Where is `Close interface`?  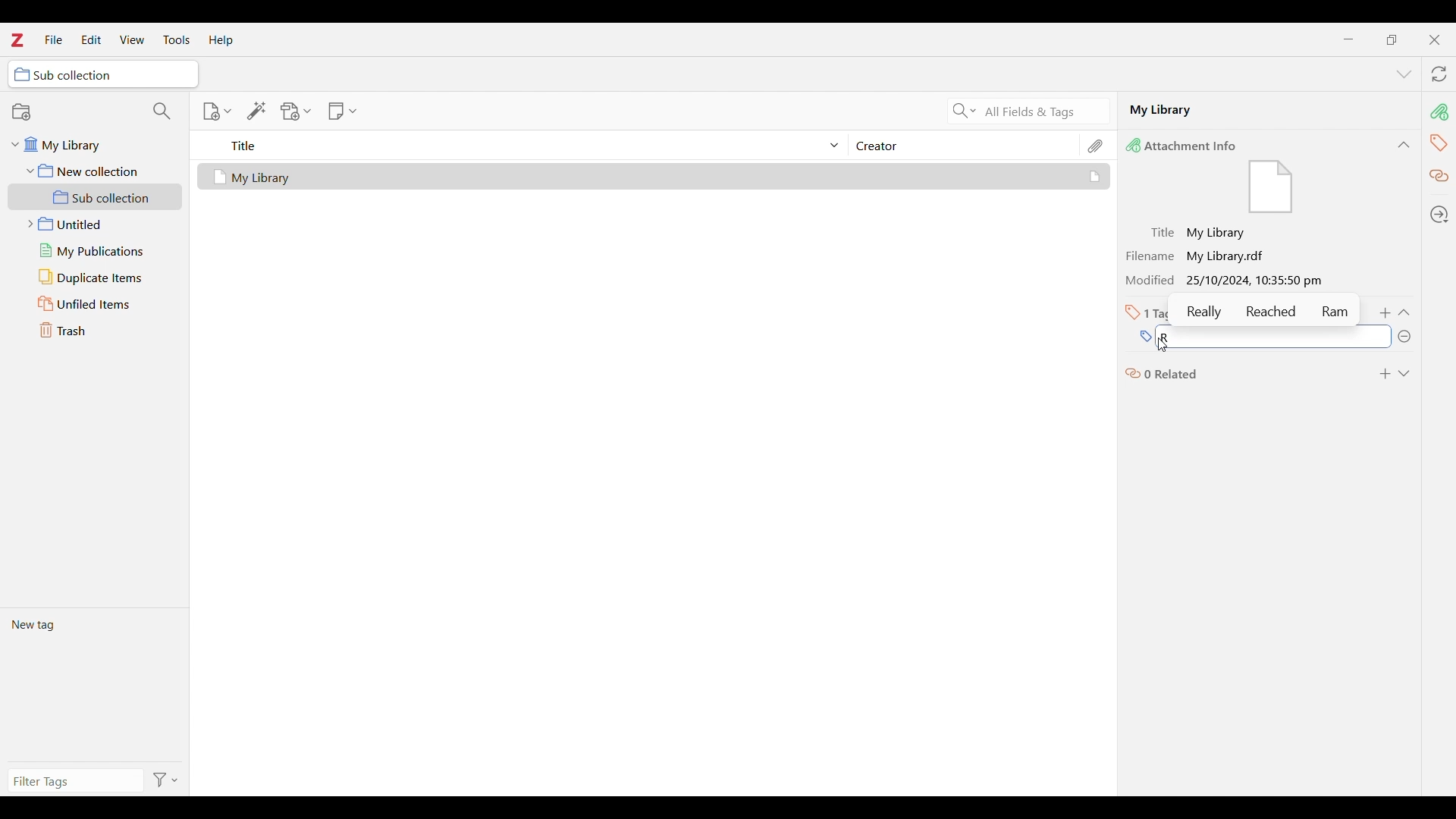 Close interface is located at coordinates (1434, 39).